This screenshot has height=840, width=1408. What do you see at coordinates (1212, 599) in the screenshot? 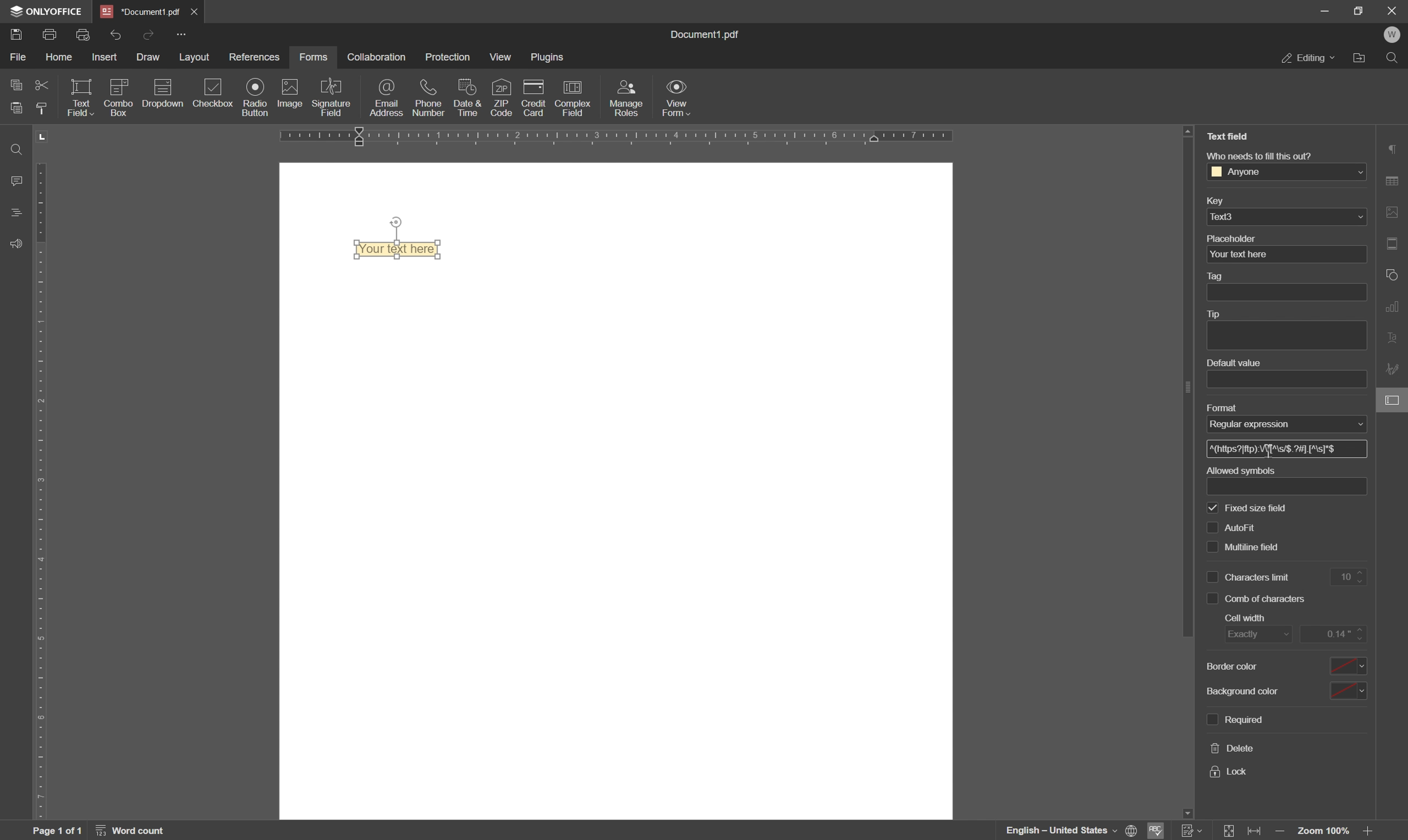
I see `check box` at bounding box center [1212, 599].